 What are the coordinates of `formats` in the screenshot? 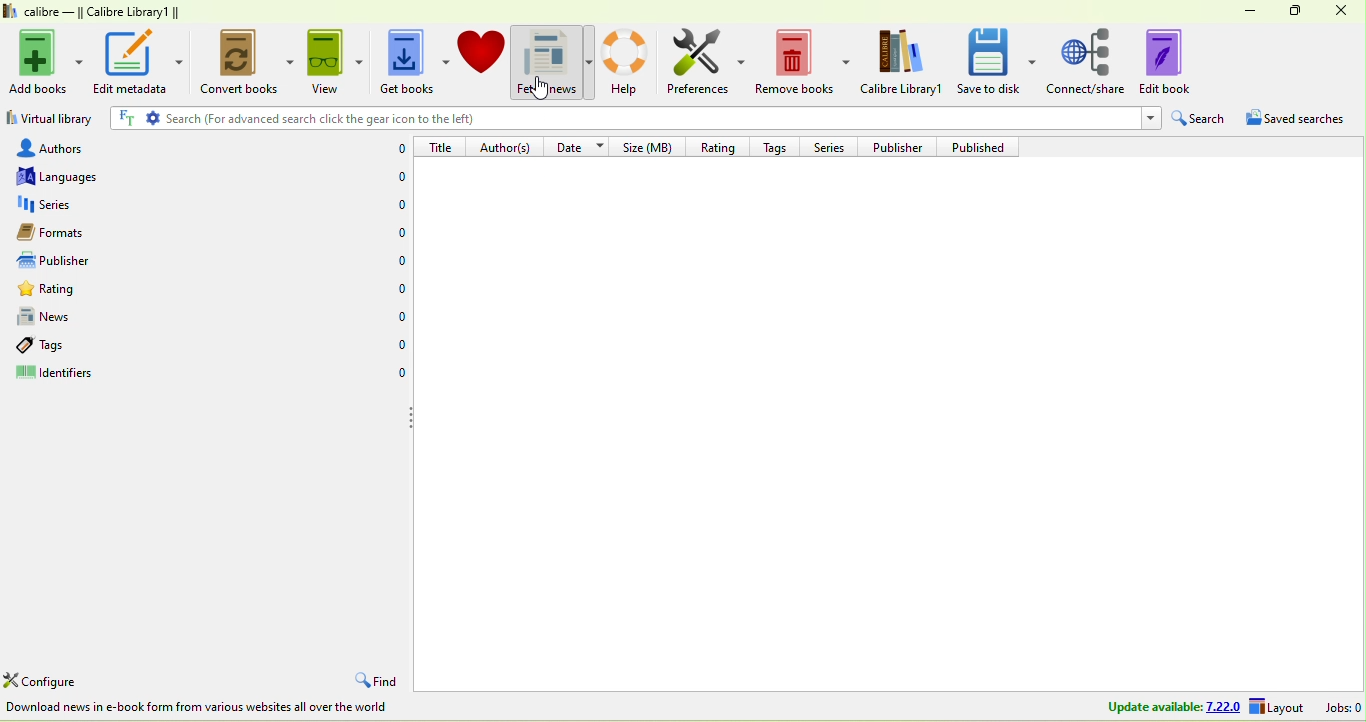 It's located at (152, 233).